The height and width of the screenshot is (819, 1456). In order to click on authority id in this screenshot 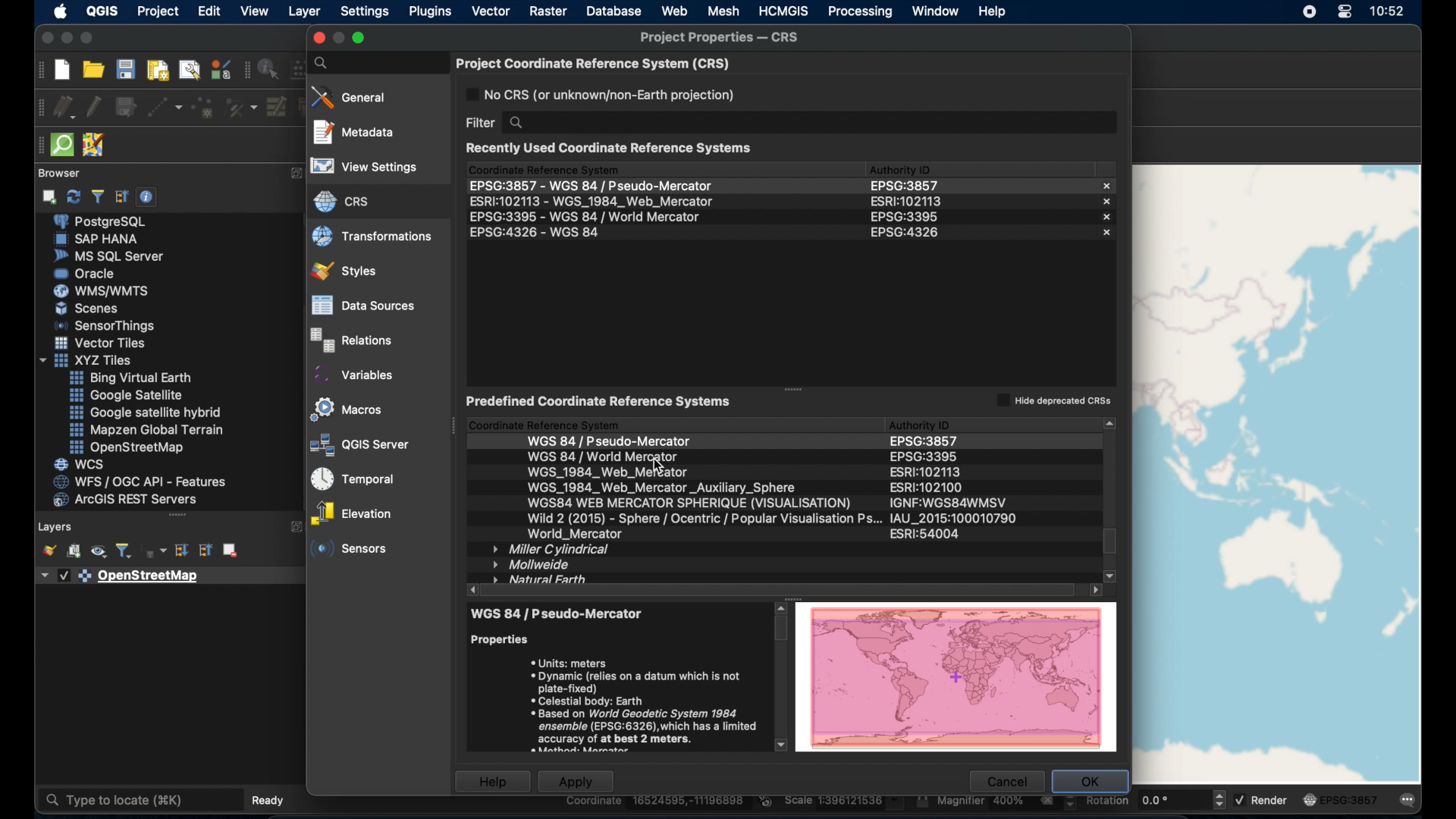, I will do `click(957, 519)`.